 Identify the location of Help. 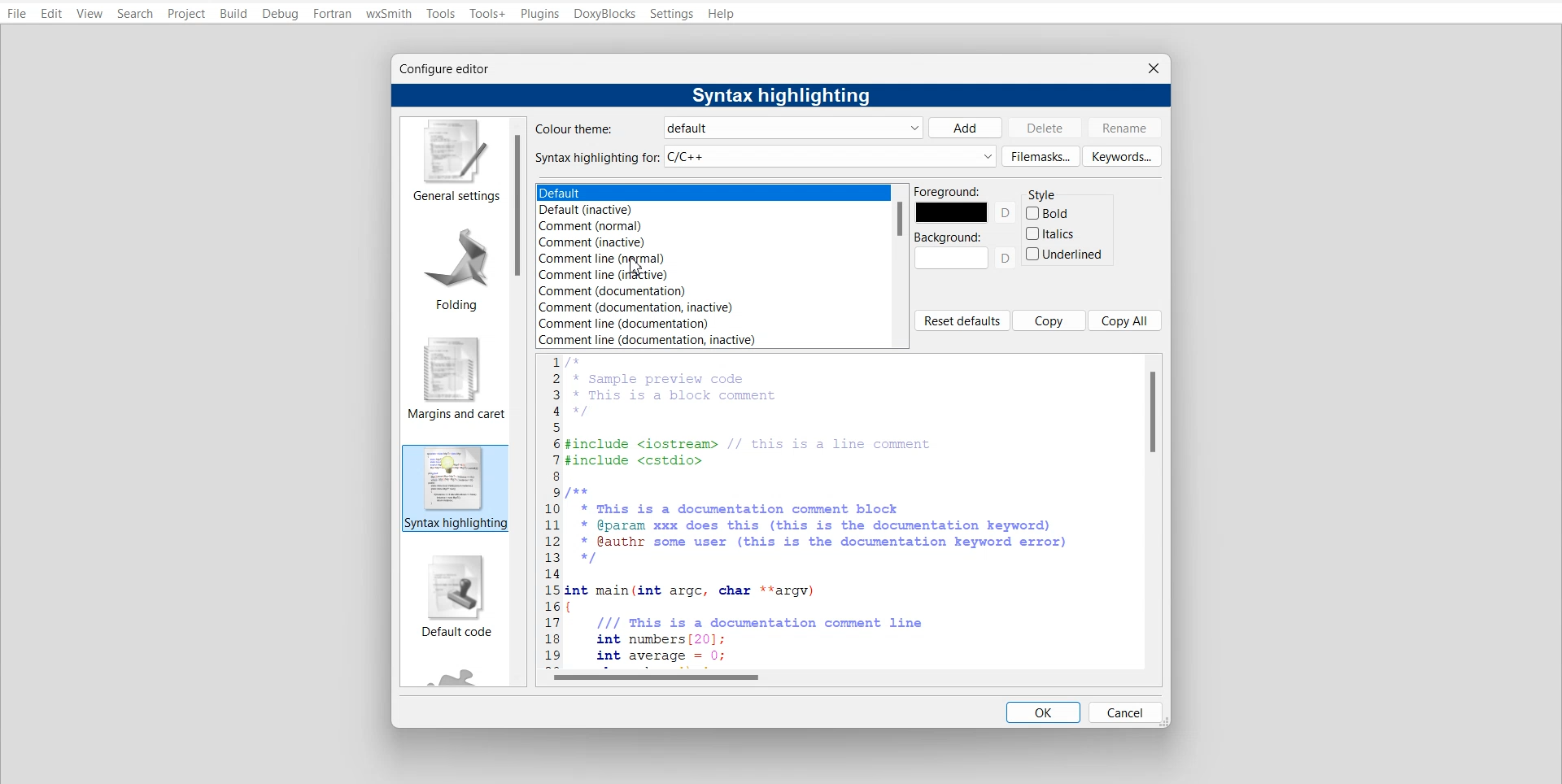
(722, 14).